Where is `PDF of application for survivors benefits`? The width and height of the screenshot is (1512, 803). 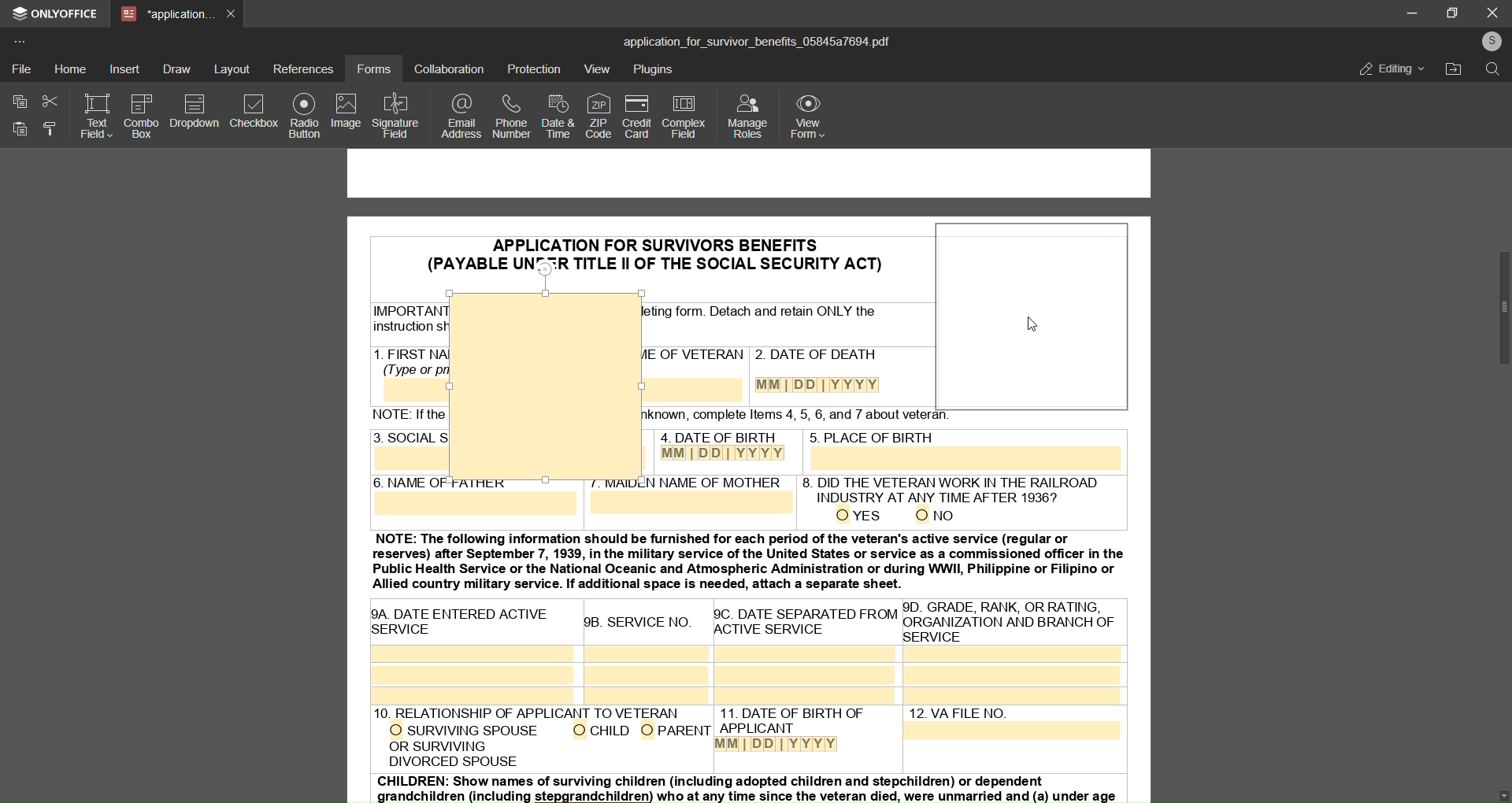
PDF of application for survivors benefits is located at coordinates (750, 649).